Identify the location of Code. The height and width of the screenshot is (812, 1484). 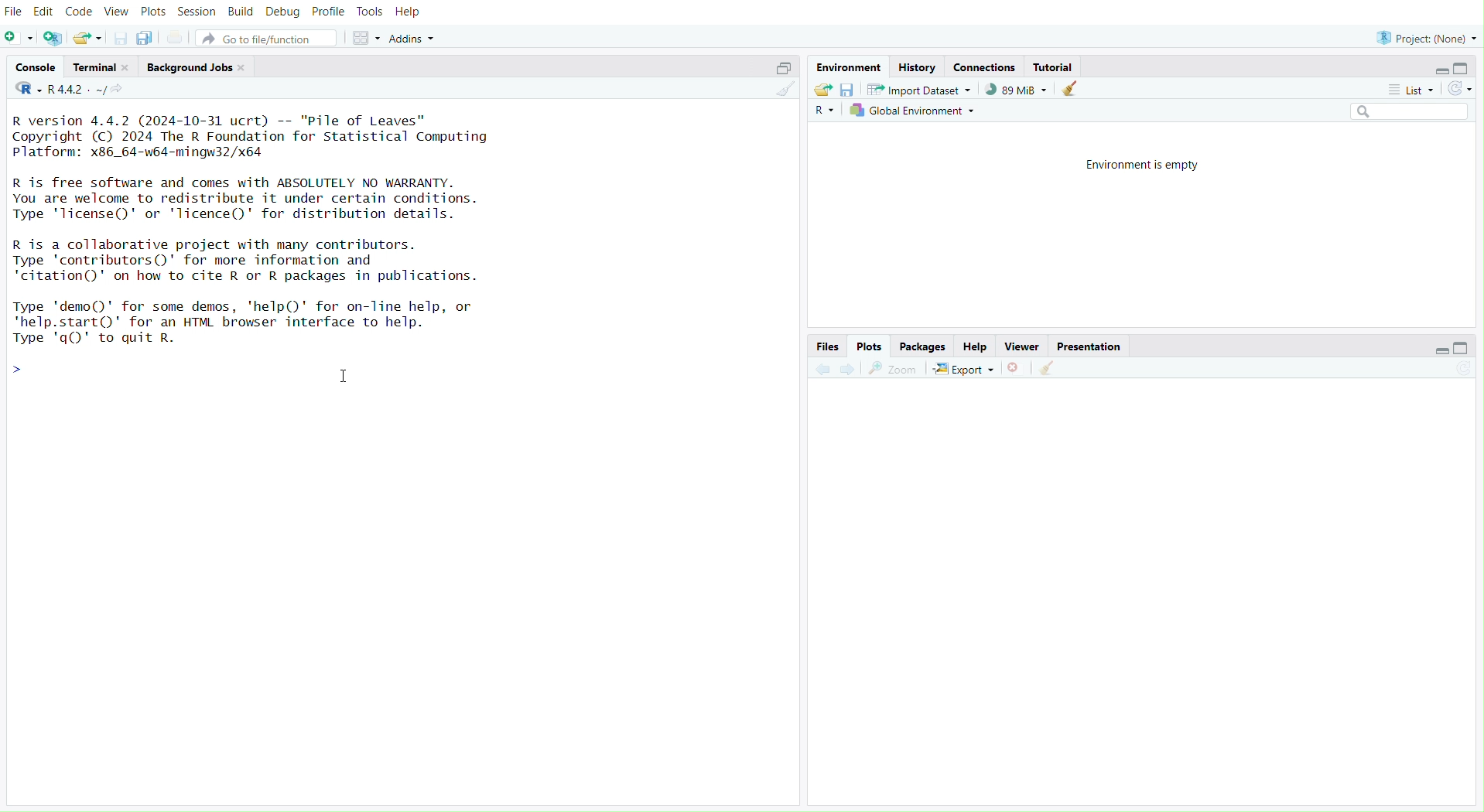
(77, 11).